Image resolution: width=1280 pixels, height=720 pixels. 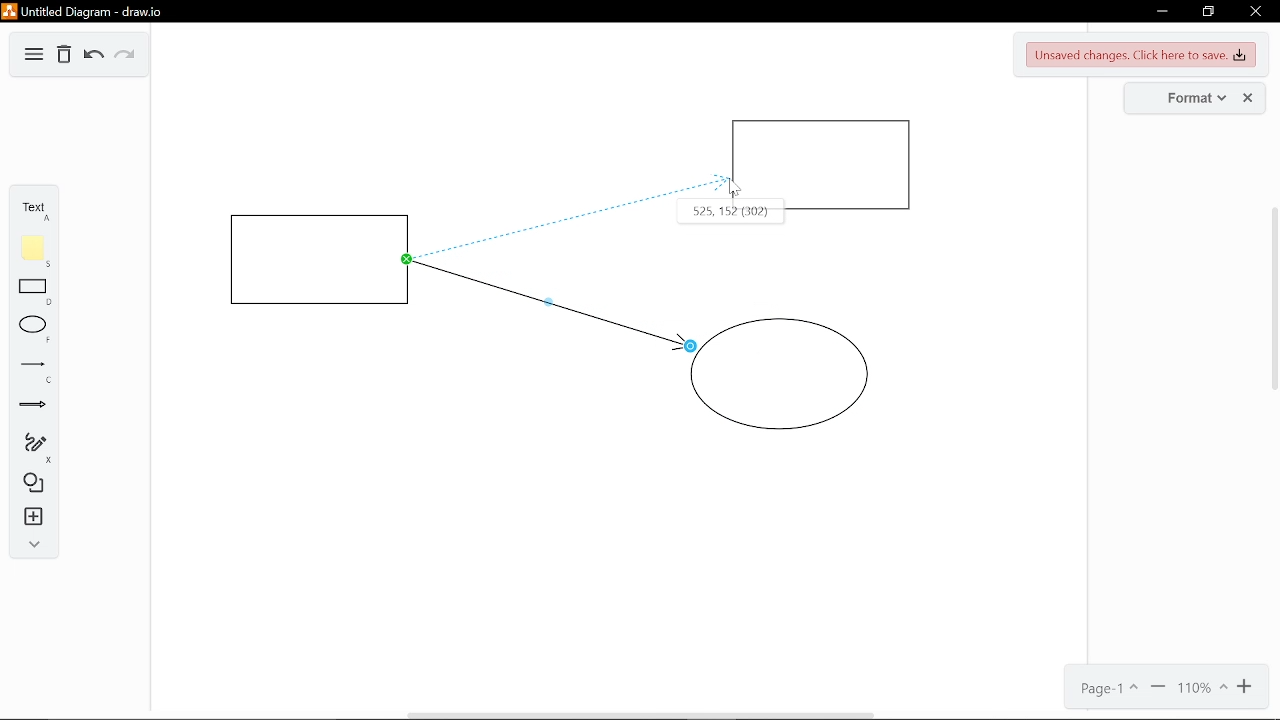 What do you see at coordinates (552, 304) in the screenshot?
I see `connector line` at bounding box center [552, 304].